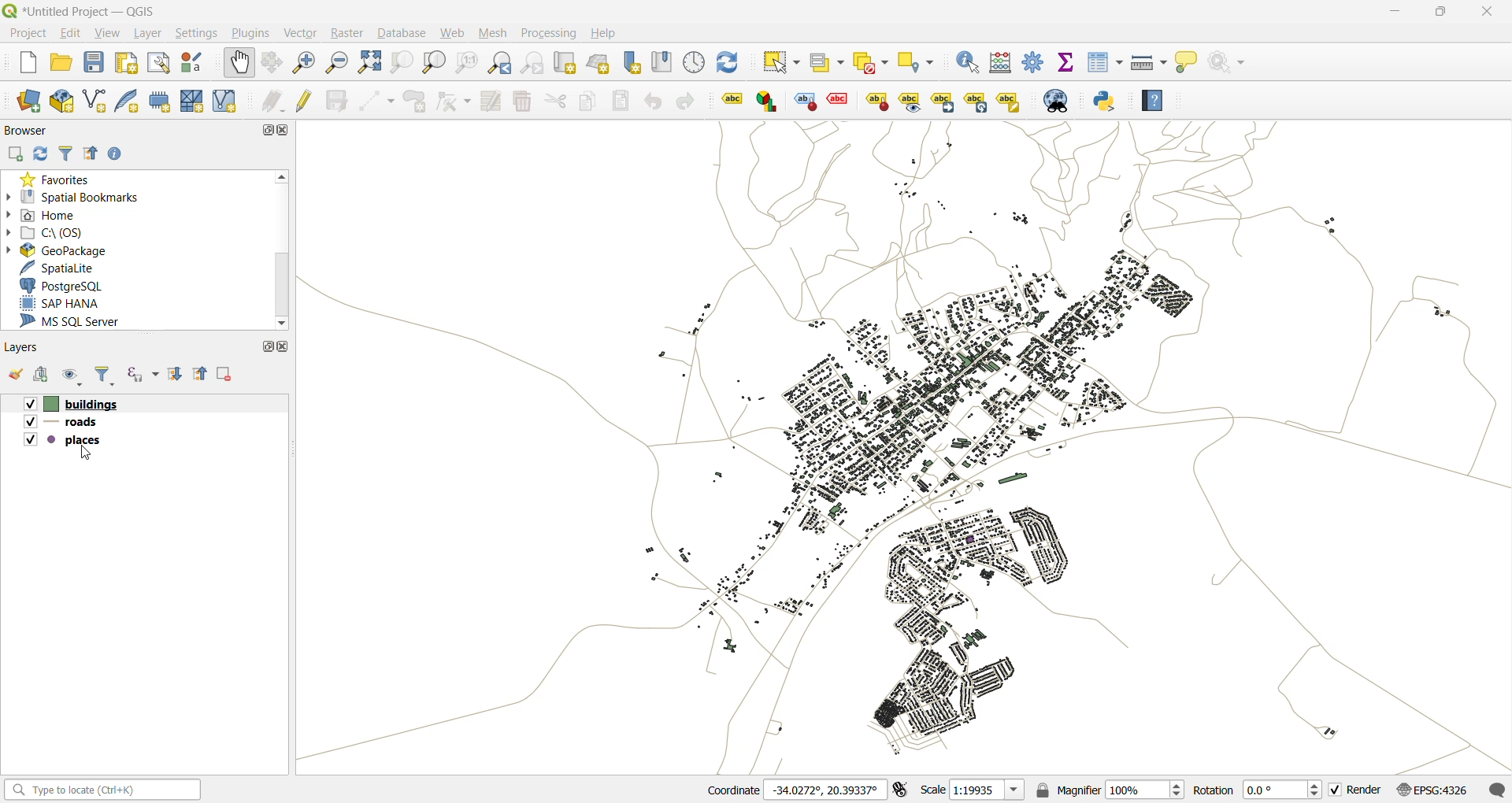  What do you see at coordinates (41, 154) in the screenshot?
I see `refresh` at bounding box center [41, 154].